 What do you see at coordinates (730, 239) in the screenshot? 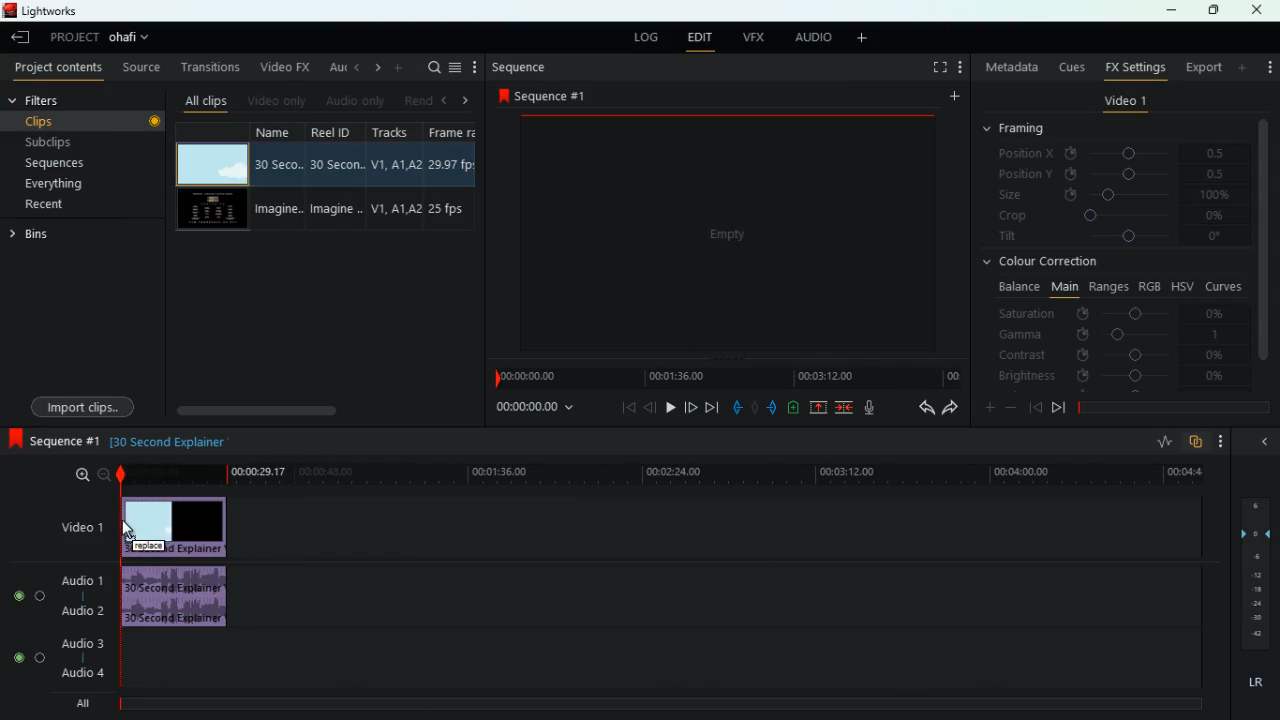
I see `screen` at bounding box center [730, 239].